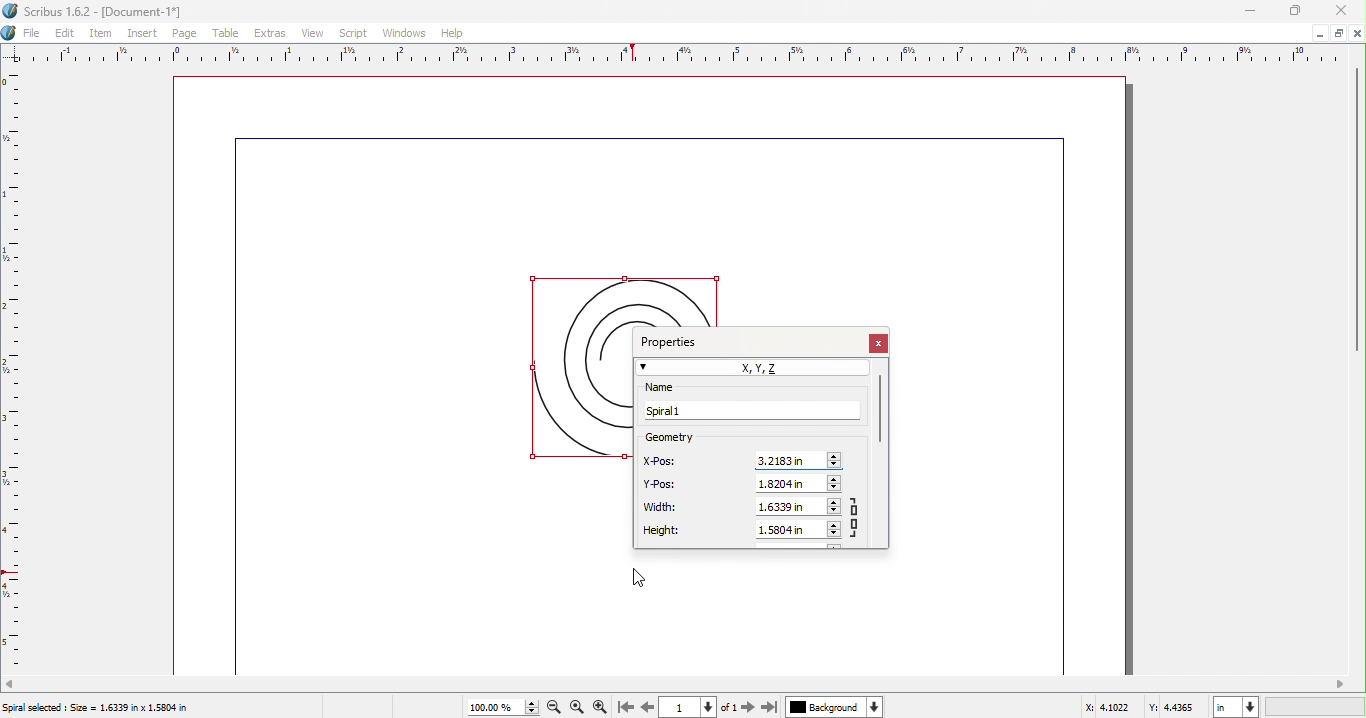 This screenshot has width=1366, height=718. I want to click on change page, so click(710, 708).